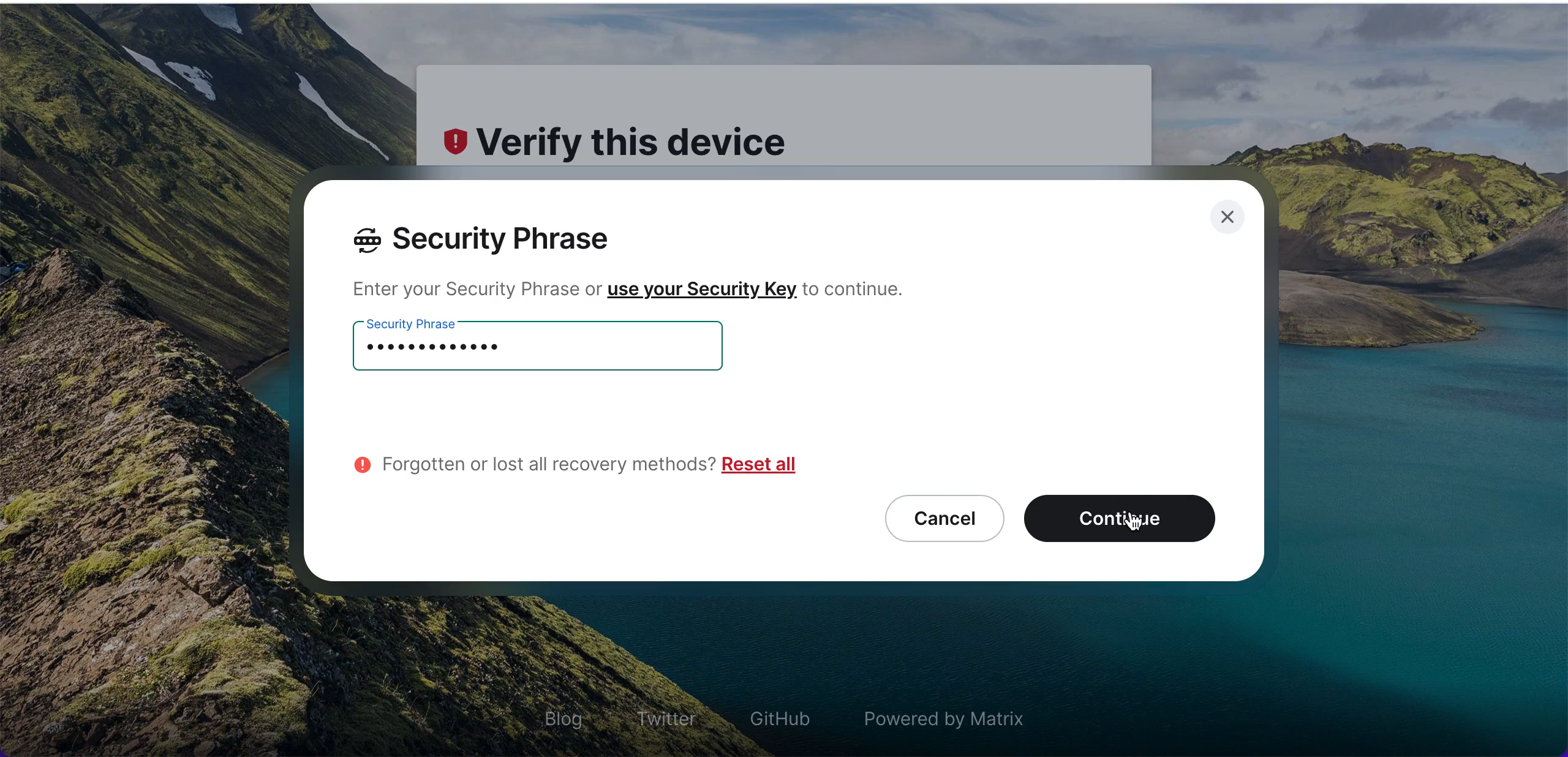  What do you see at coordinates (951, 713) in the screenshot?
I see `powered by matrix` at bounding box center [951, 713].